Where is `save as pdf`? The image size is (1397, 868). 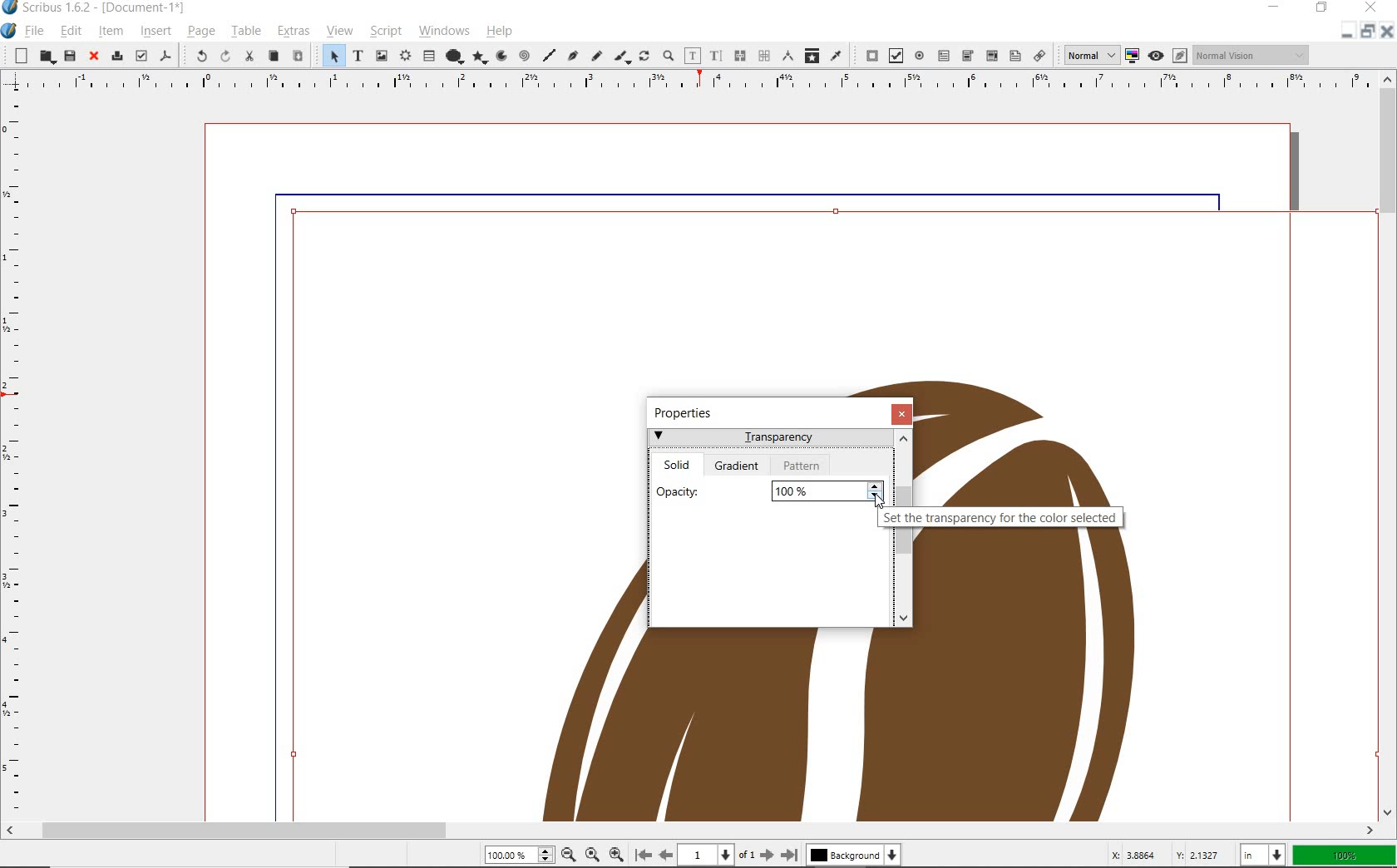
save as pdf is located at coordinates (163, 57).